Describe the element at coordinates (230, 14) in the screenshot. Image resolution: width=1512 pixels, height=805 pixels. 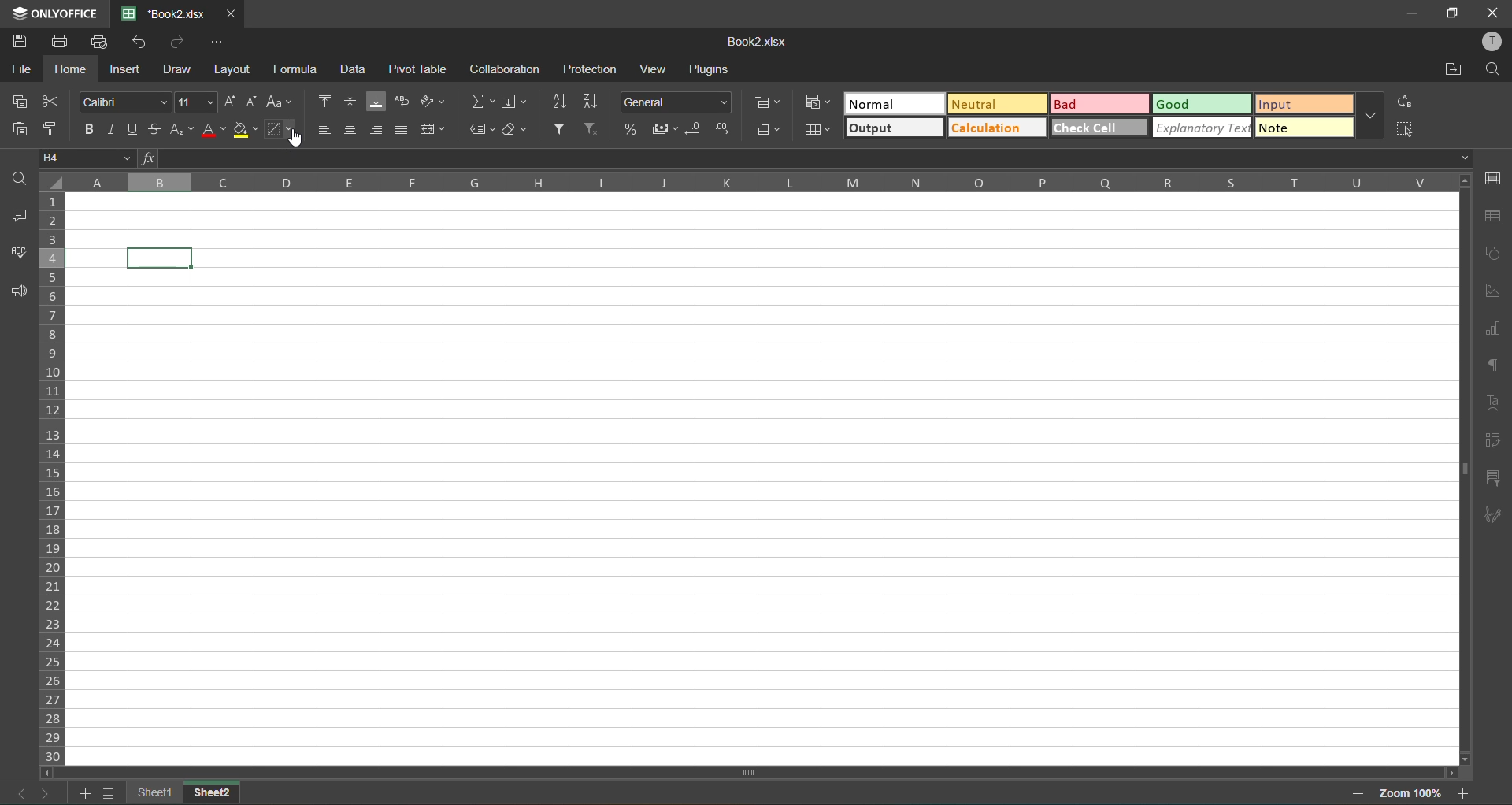
I see `close tab` at that location.